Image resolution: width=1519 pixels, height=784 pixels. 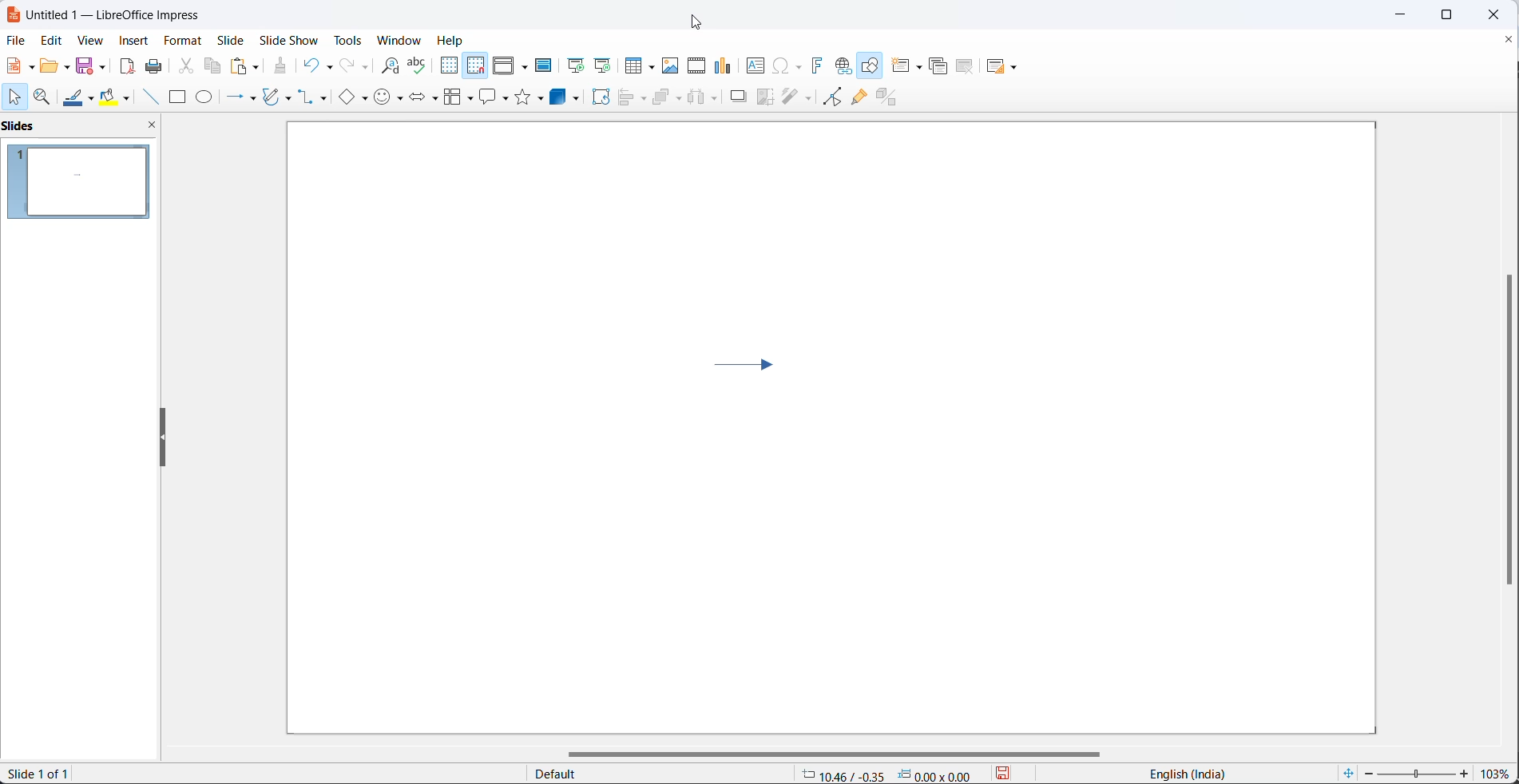 I want to click on curve and polygons, so click(x=280, y=95).